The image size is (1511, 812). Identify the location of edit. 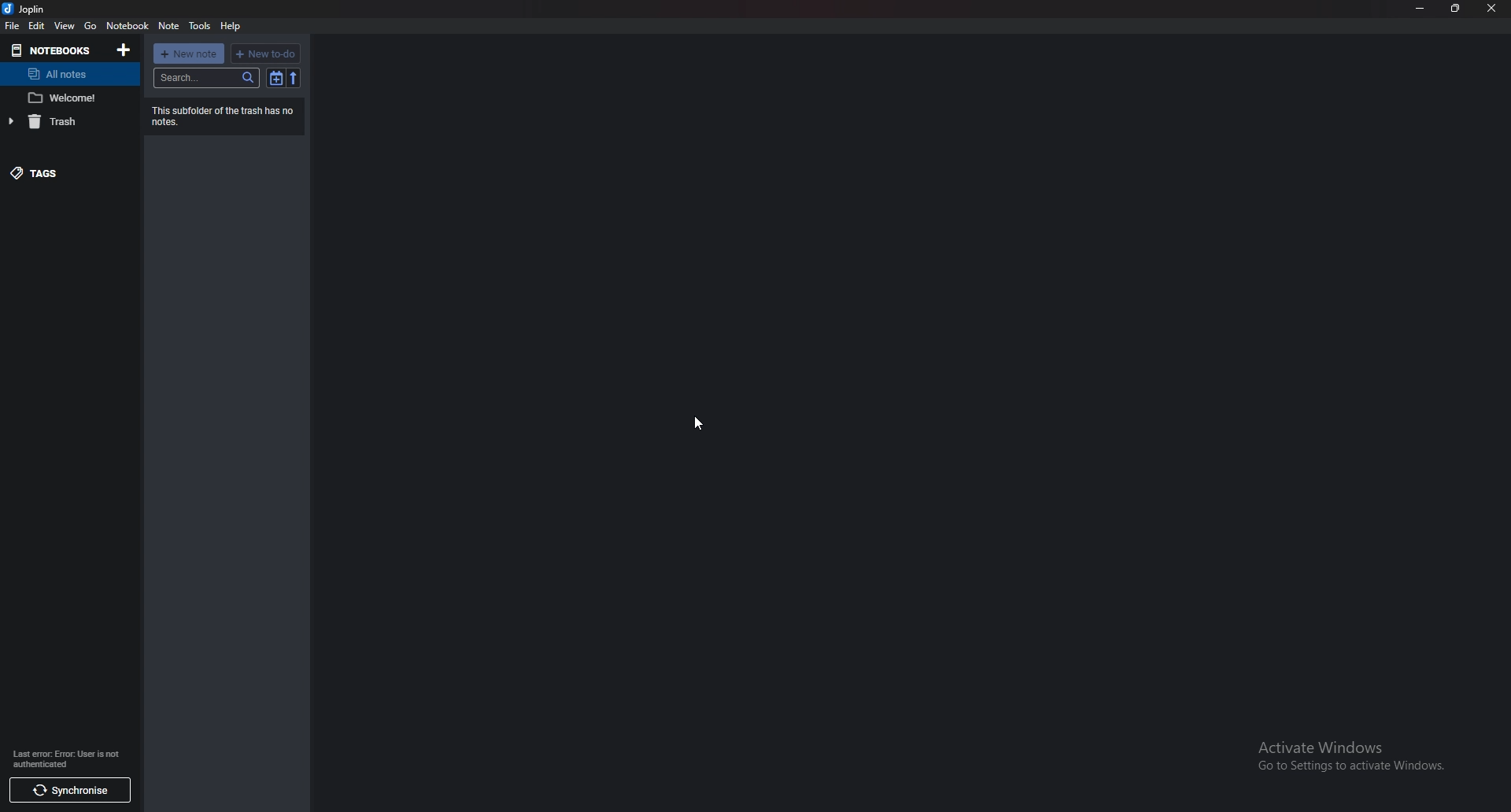
(39, 25).